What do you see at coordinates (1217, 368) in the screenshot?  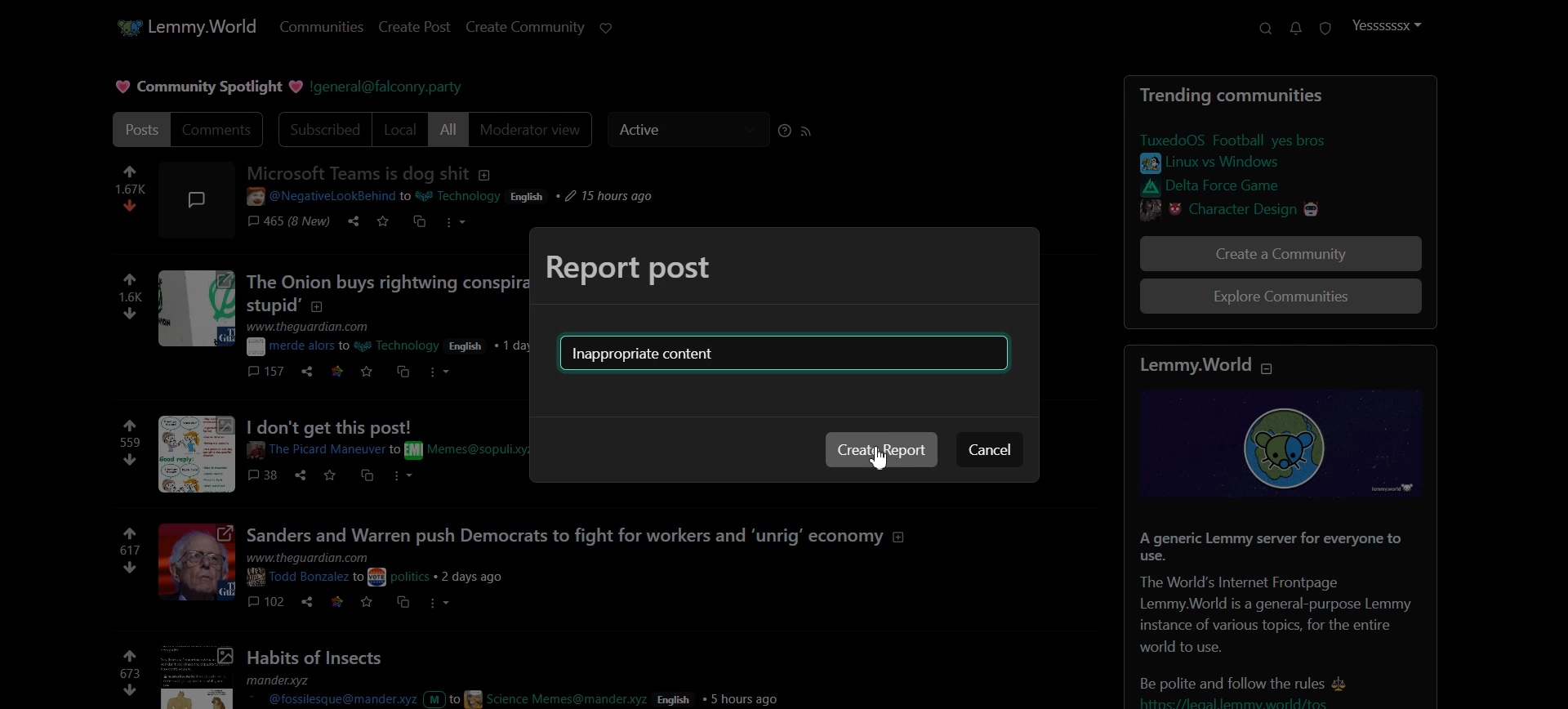 I see `text` at bounding box center [1217, 368].